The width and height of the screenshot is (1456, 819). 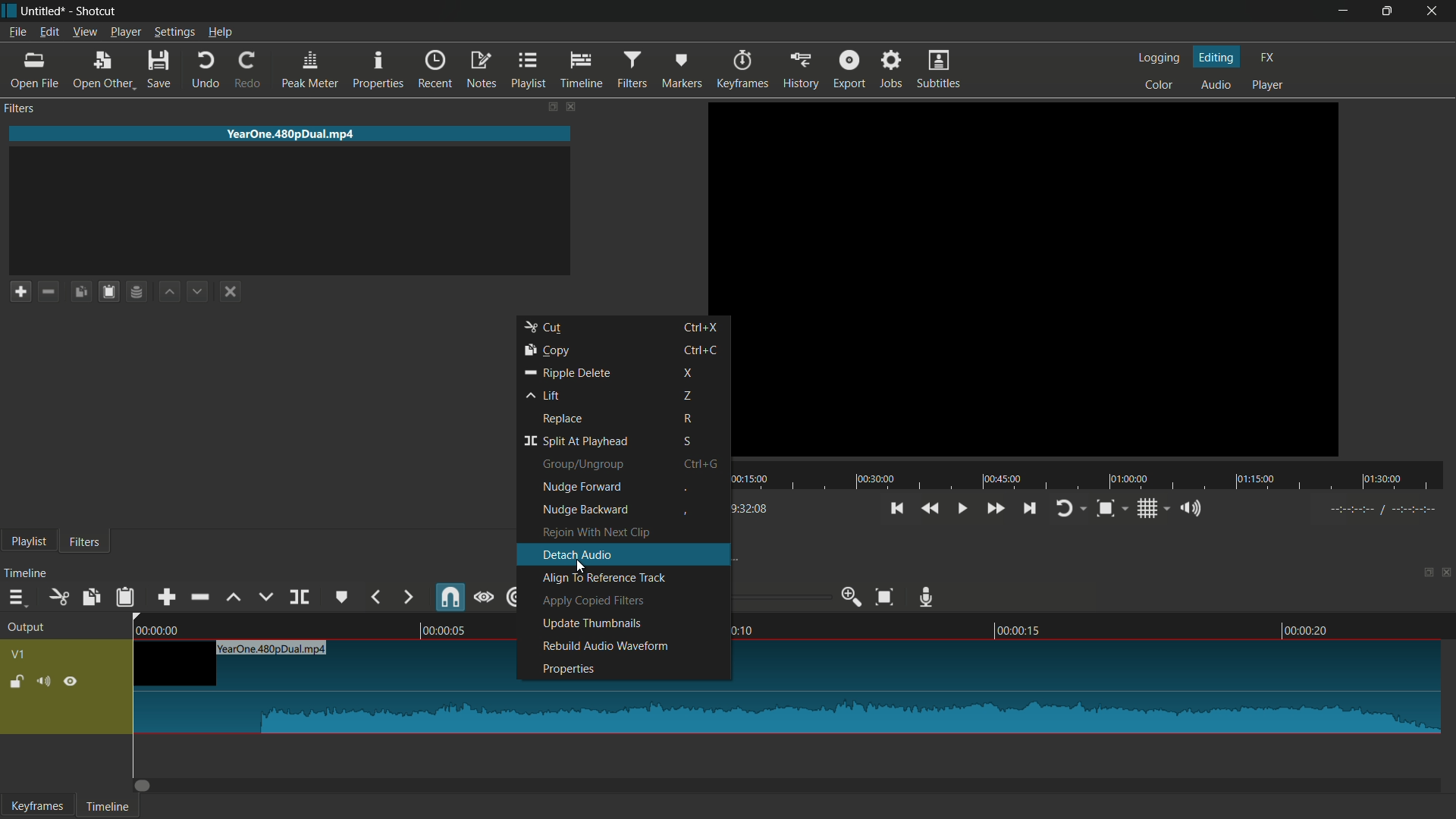 What do you see at coordinates (376, 597) in the screenshot?
I see `previous marker` at bounding box center [376, 597].